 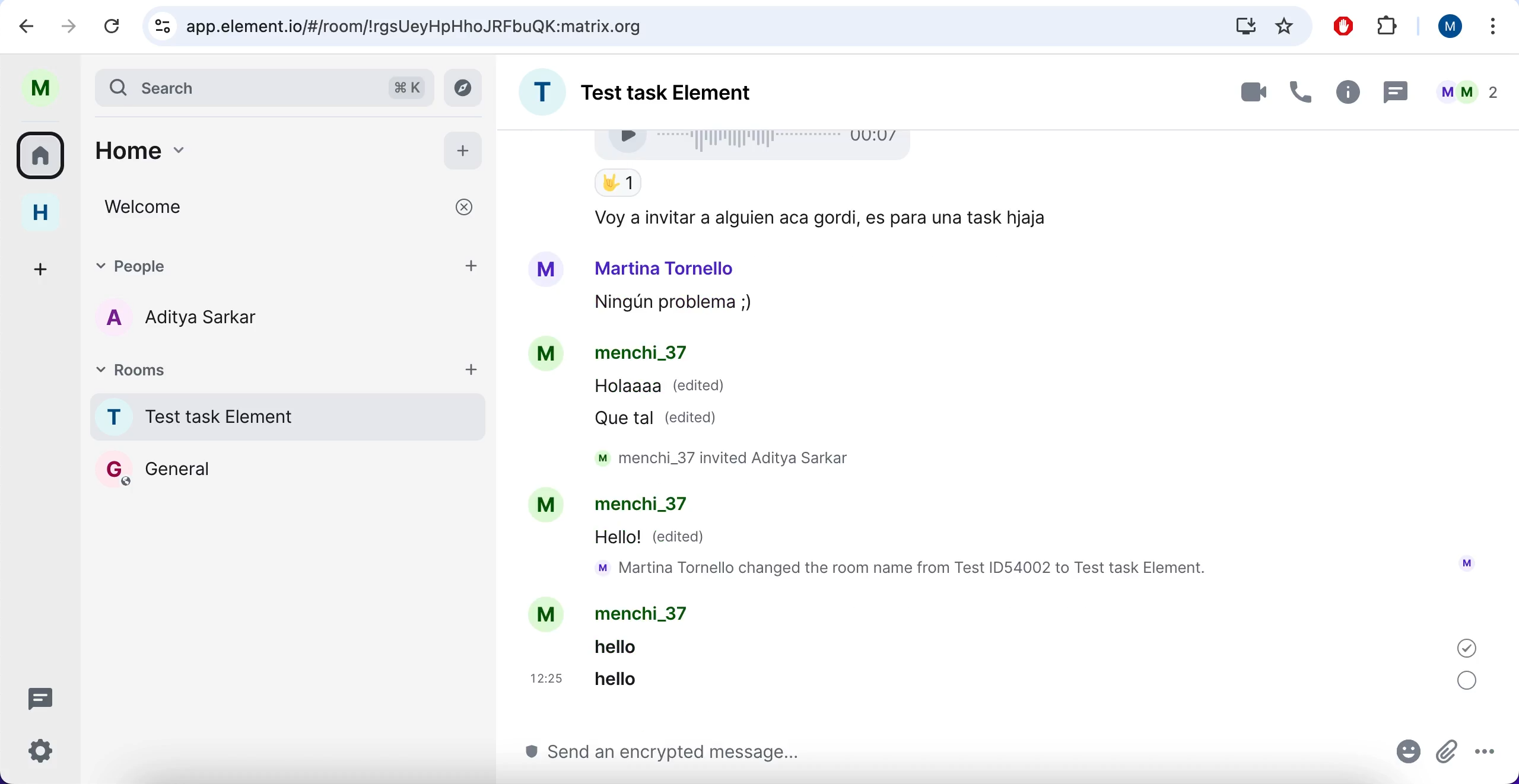 I want to click on Que tal (edited), so click(x=660, y=417).